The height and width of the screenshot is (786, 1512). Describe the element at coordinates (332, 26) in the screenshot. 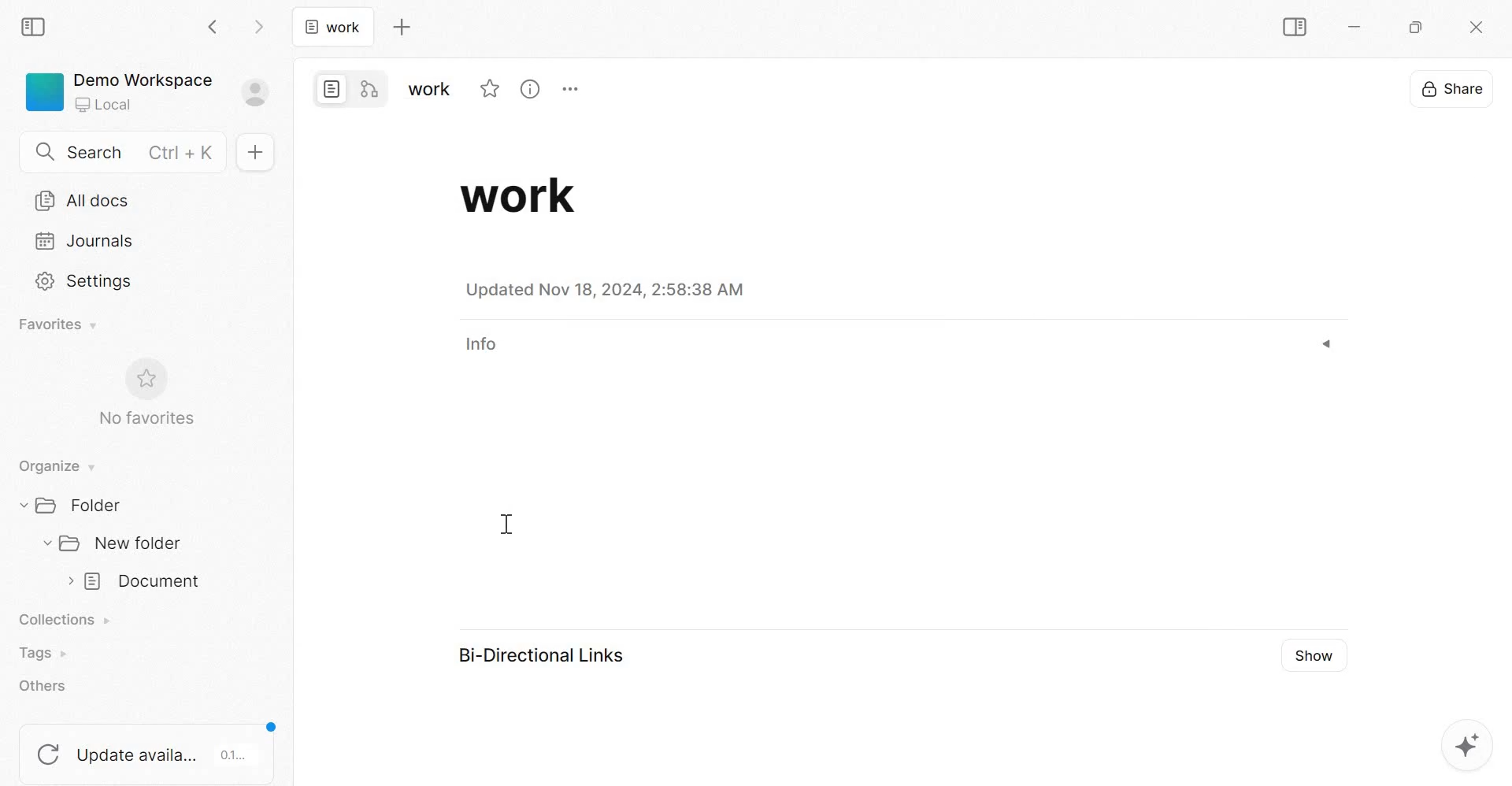

I see `work` at that location.